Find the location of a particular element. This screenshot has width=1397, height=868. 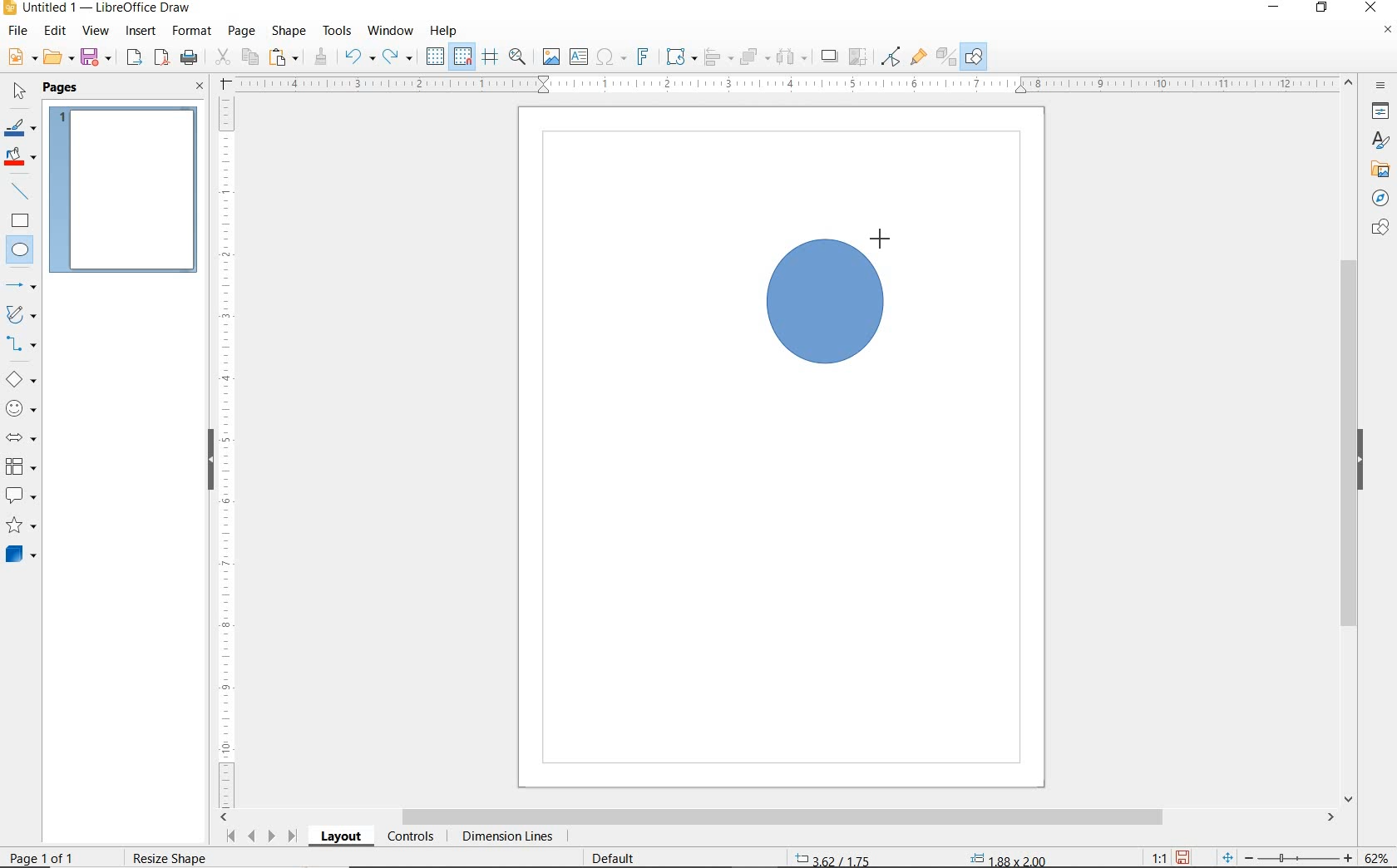

3D OBJECTS is located at coordinates (19, 556).